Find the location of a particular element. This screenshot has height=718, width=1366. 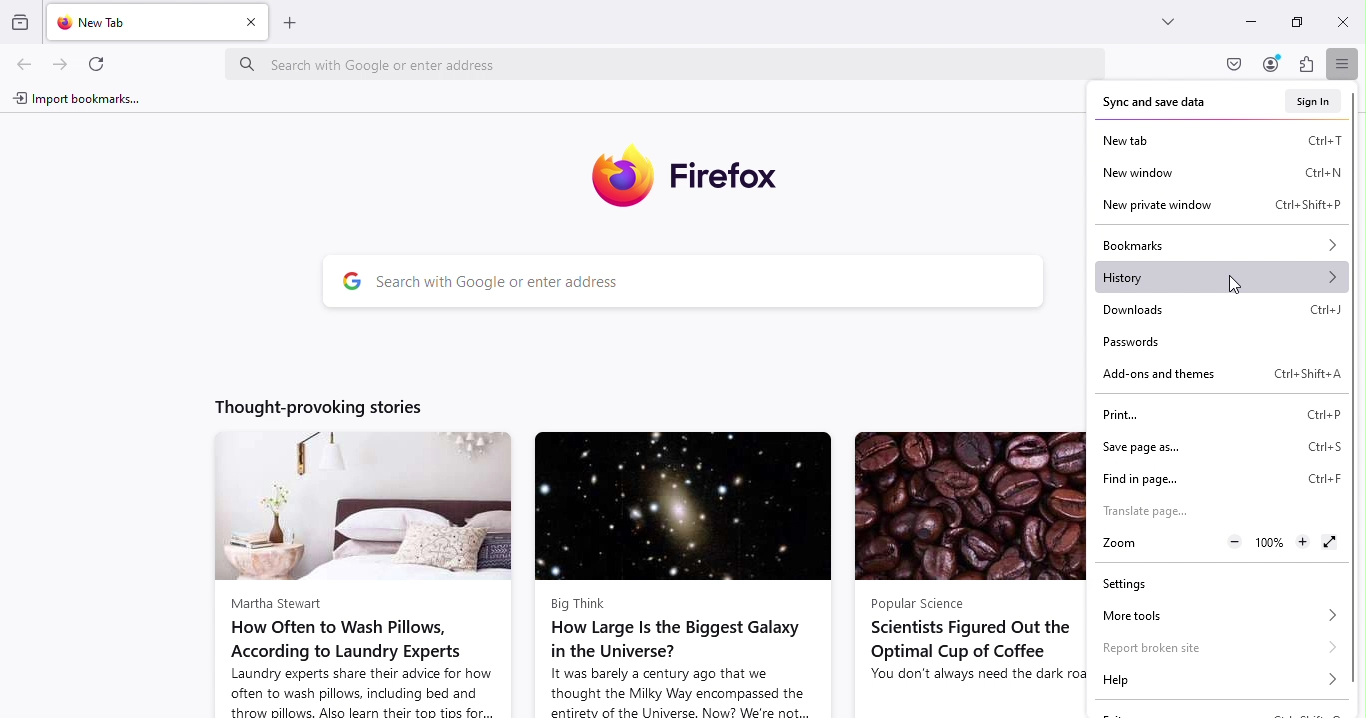

Open a new tab is located at coordinates (295, 23).